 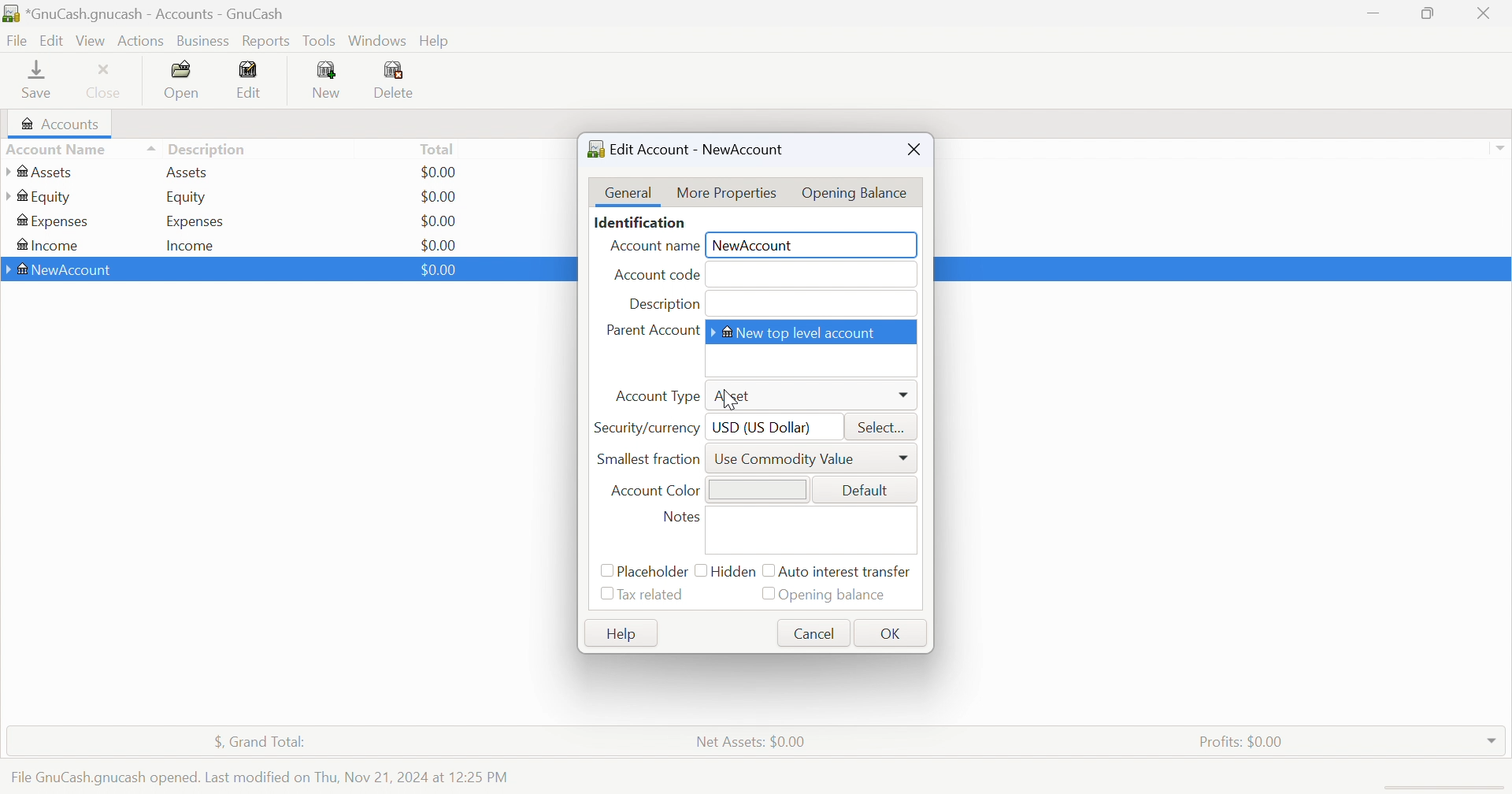 I want to click on Total, so click(x=439, y=148).